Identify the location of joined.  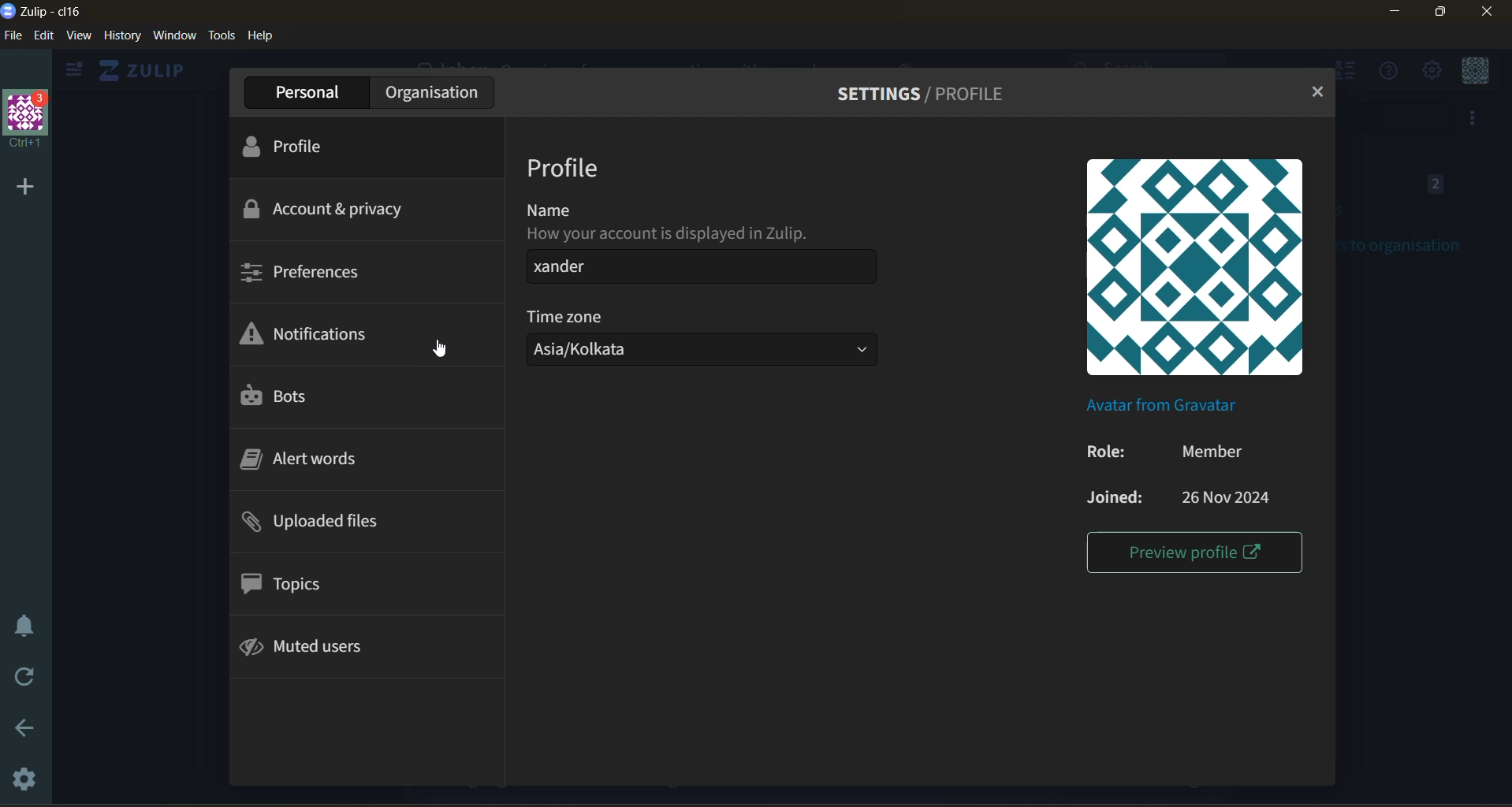
(1186, 501).